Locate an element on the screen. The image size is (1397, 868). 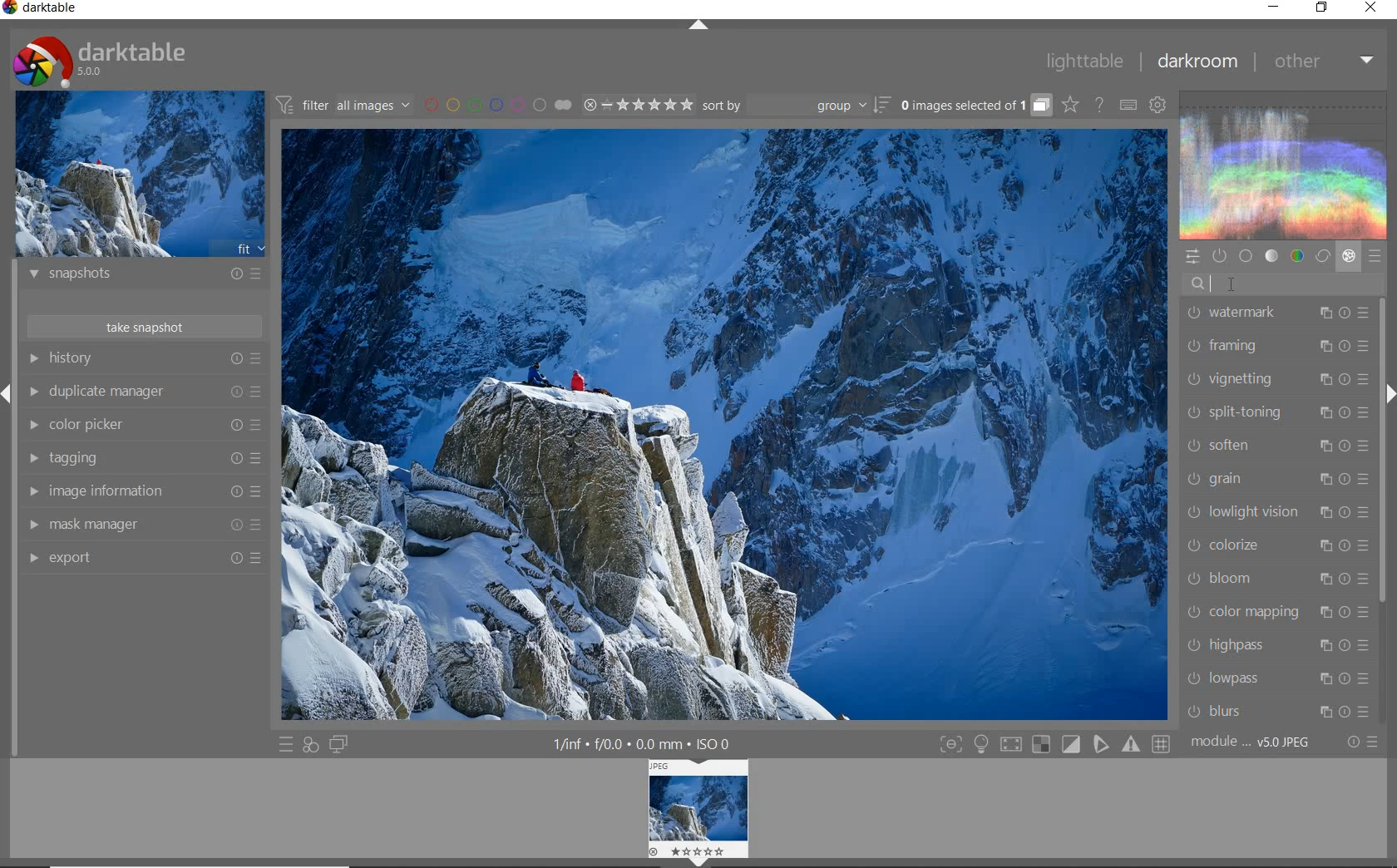
Darktable is located at coordinates (42, 11).